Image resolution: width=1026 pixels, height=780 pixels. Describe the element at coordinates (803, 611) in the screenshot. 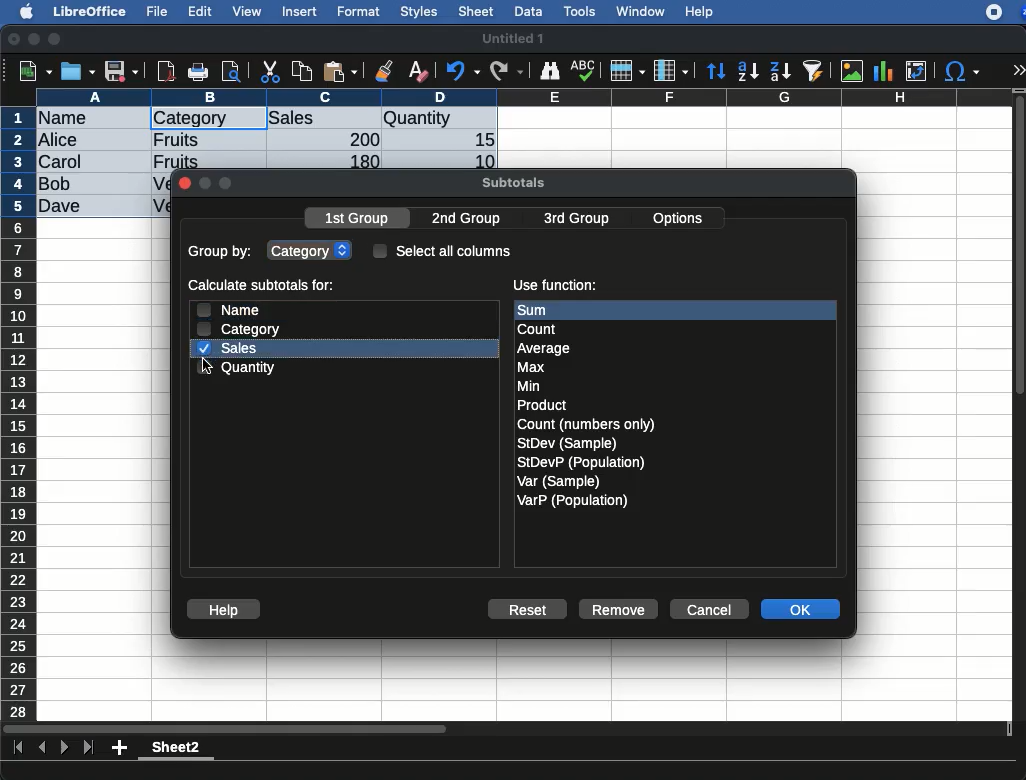

I see `ok` at that location.